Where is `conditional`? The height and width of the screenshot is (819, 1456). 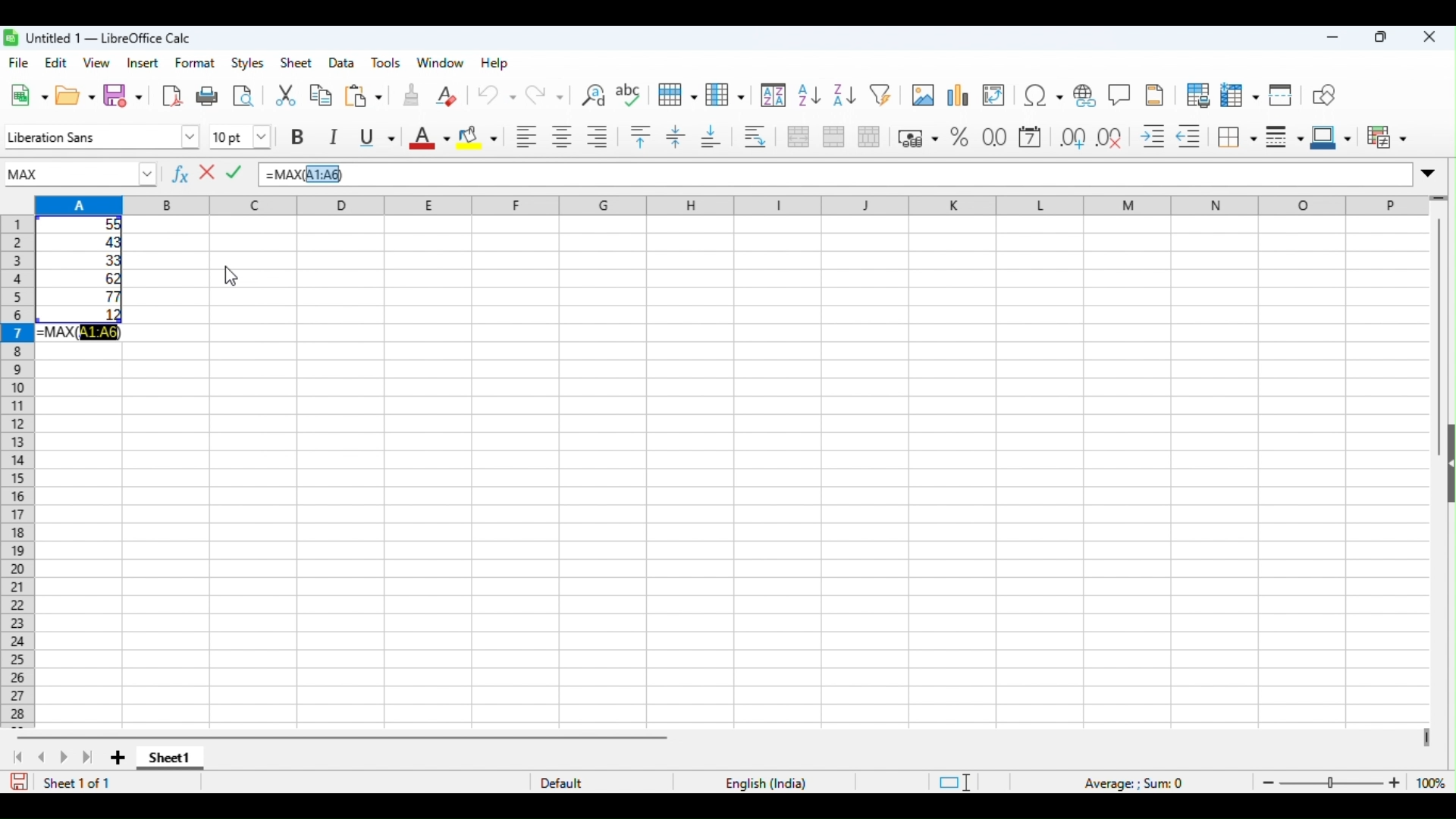 conditional is located at coordinates (1387, 136).